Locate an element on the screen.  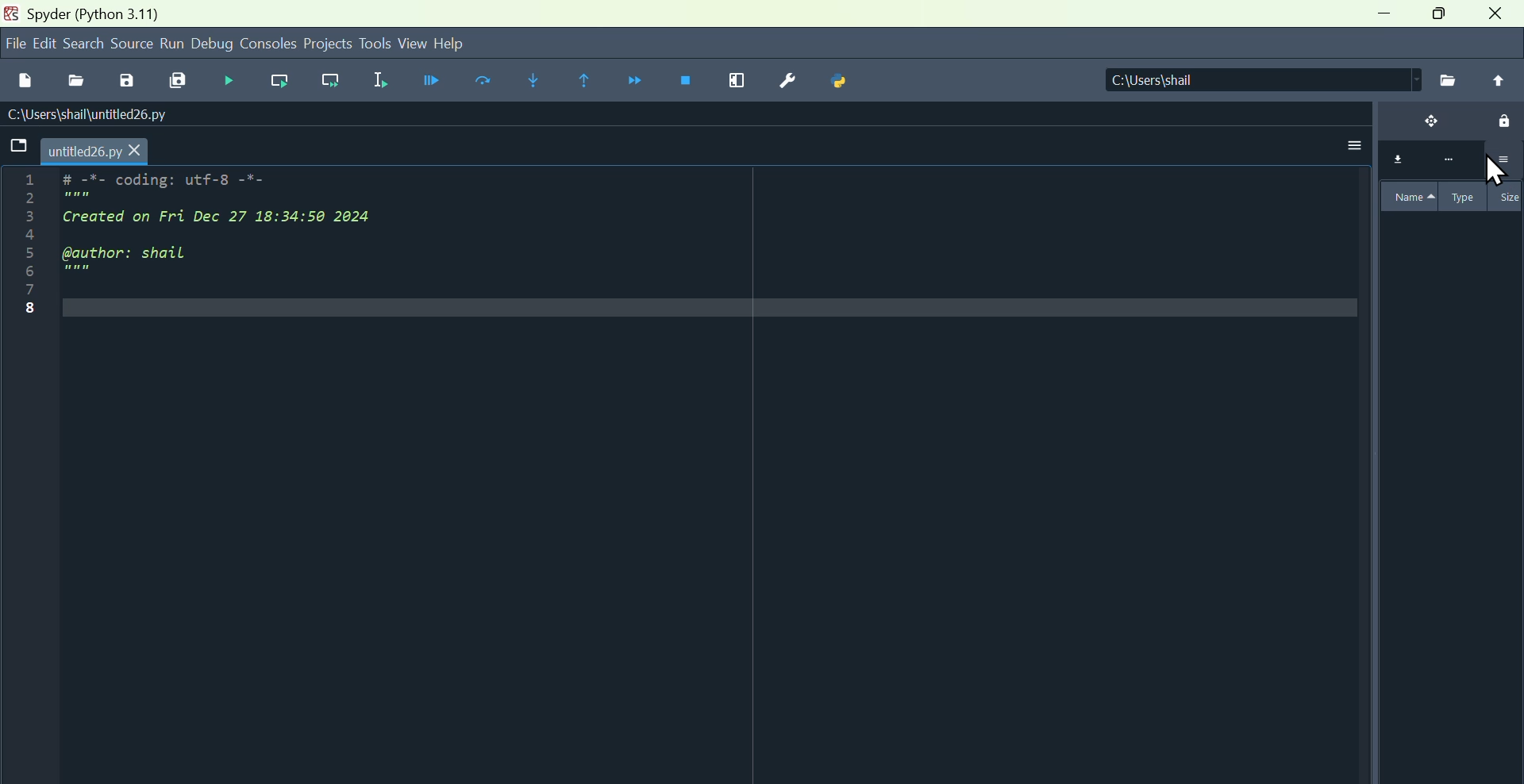
tools is located at coordinates (375, 43).